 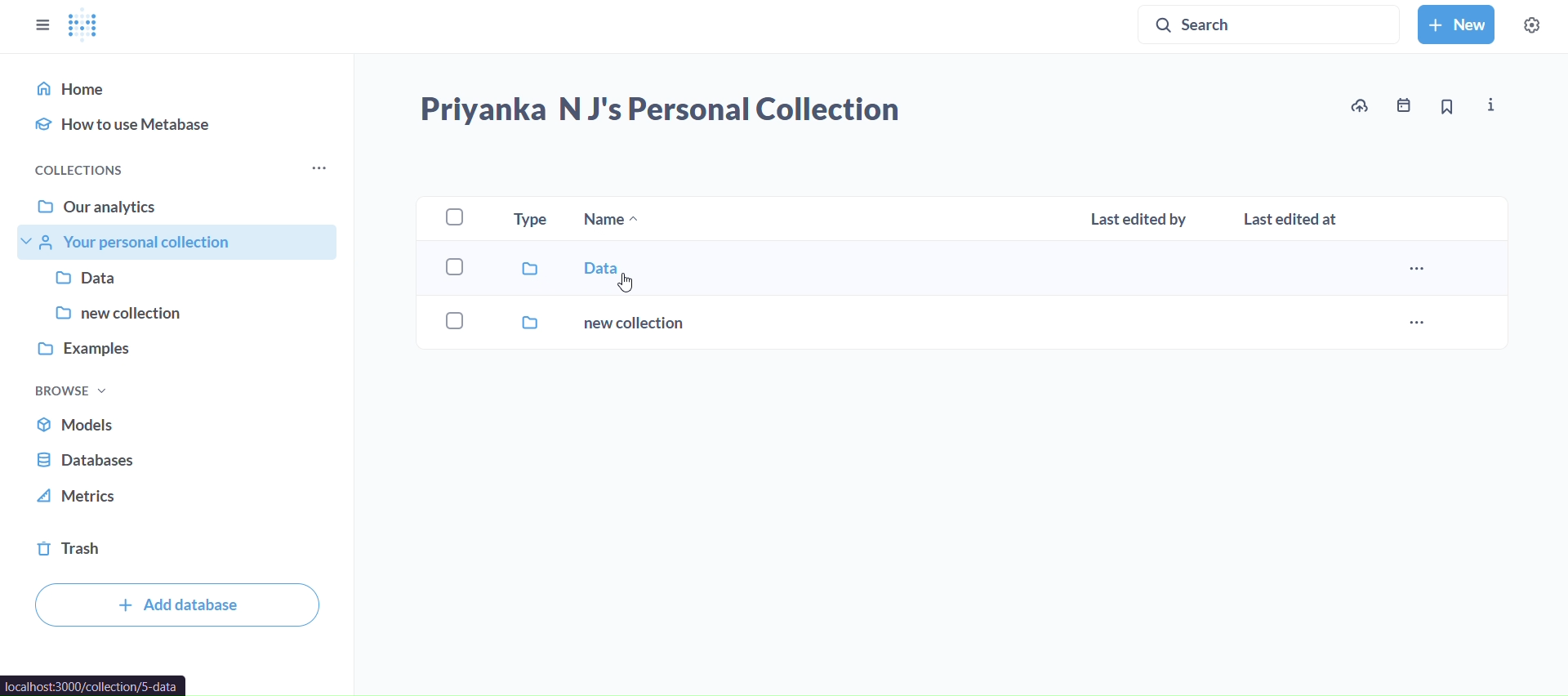 I want to click on database, so click(x=174, y=457).